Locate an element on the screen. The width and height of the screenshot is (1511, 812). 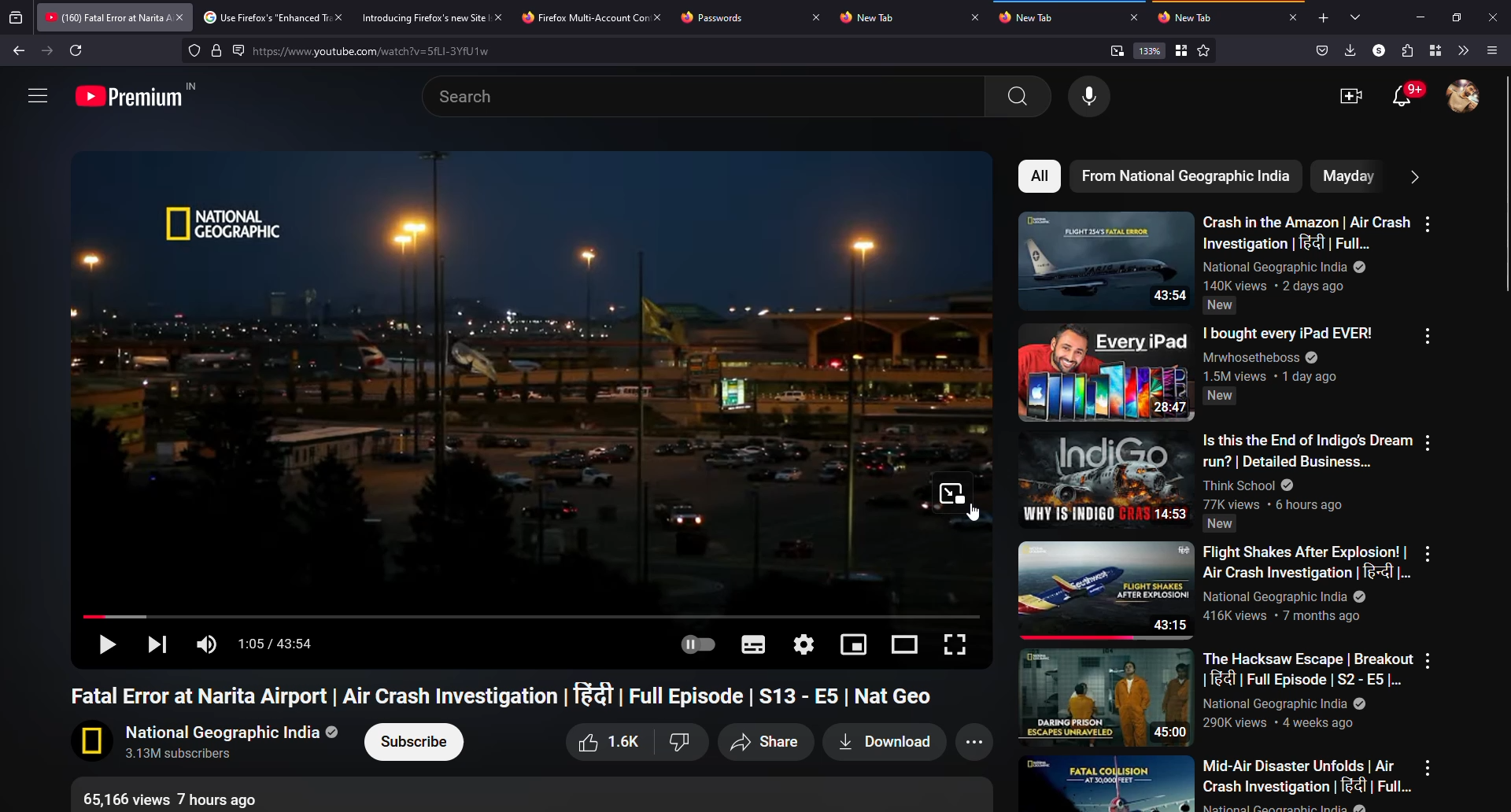
Video thumbnail is located at coordinates (1106, 260).